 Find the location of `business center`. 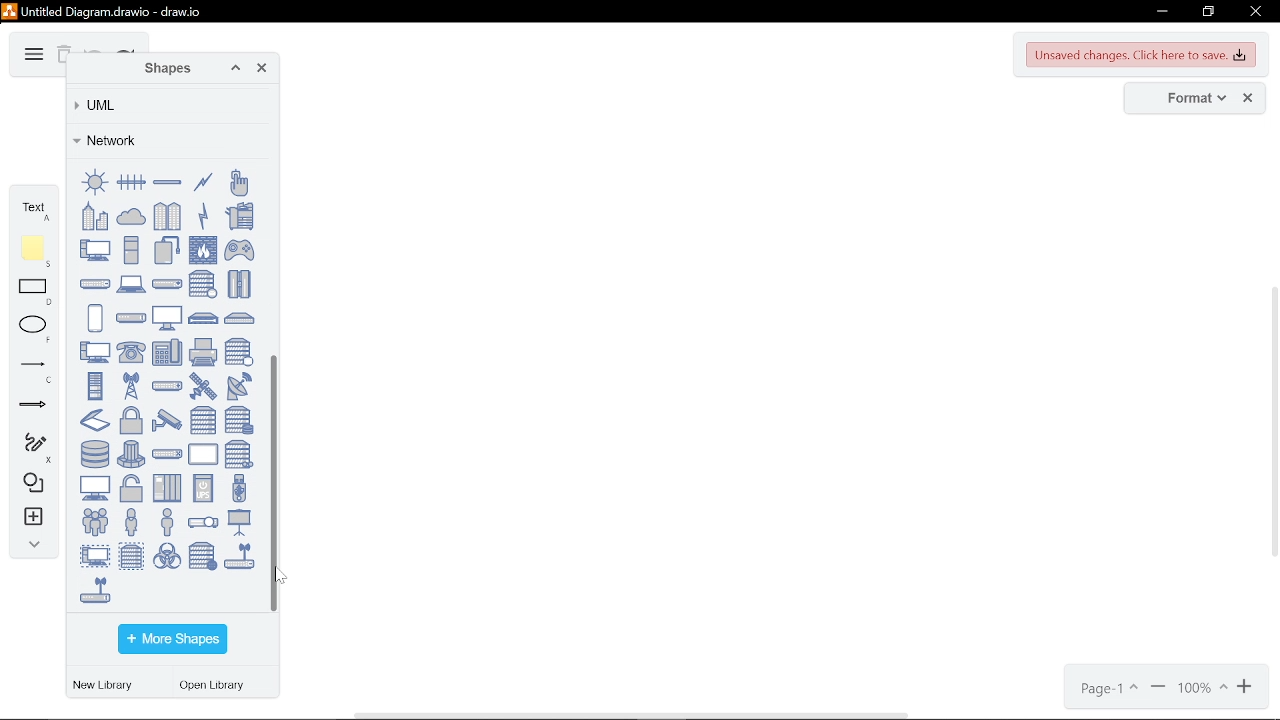

business center is located at coordinates (95, 216).